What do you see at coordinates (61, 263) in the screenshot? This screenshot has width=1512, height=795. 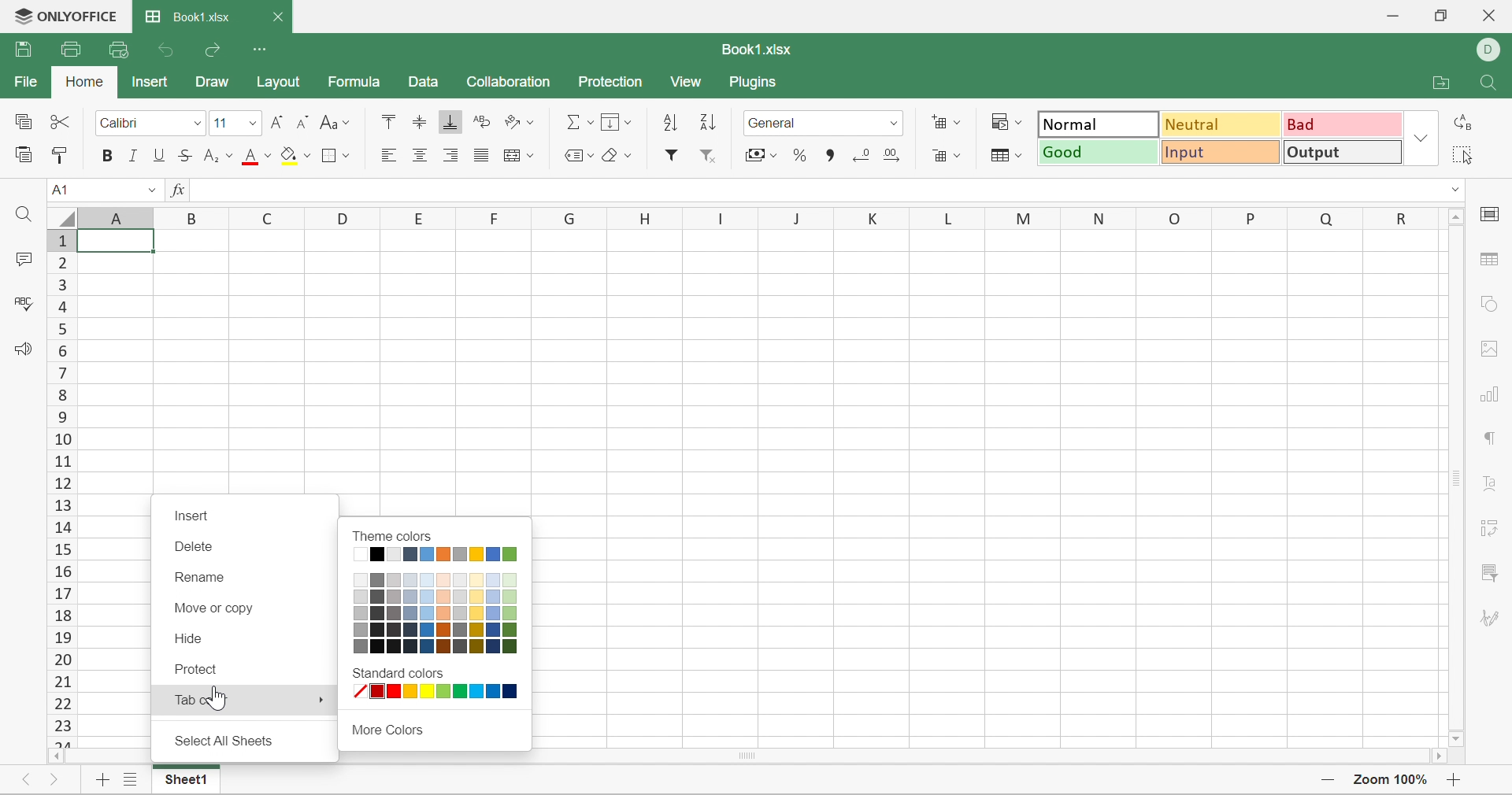 I see `2` at bounding box center [61, 263].